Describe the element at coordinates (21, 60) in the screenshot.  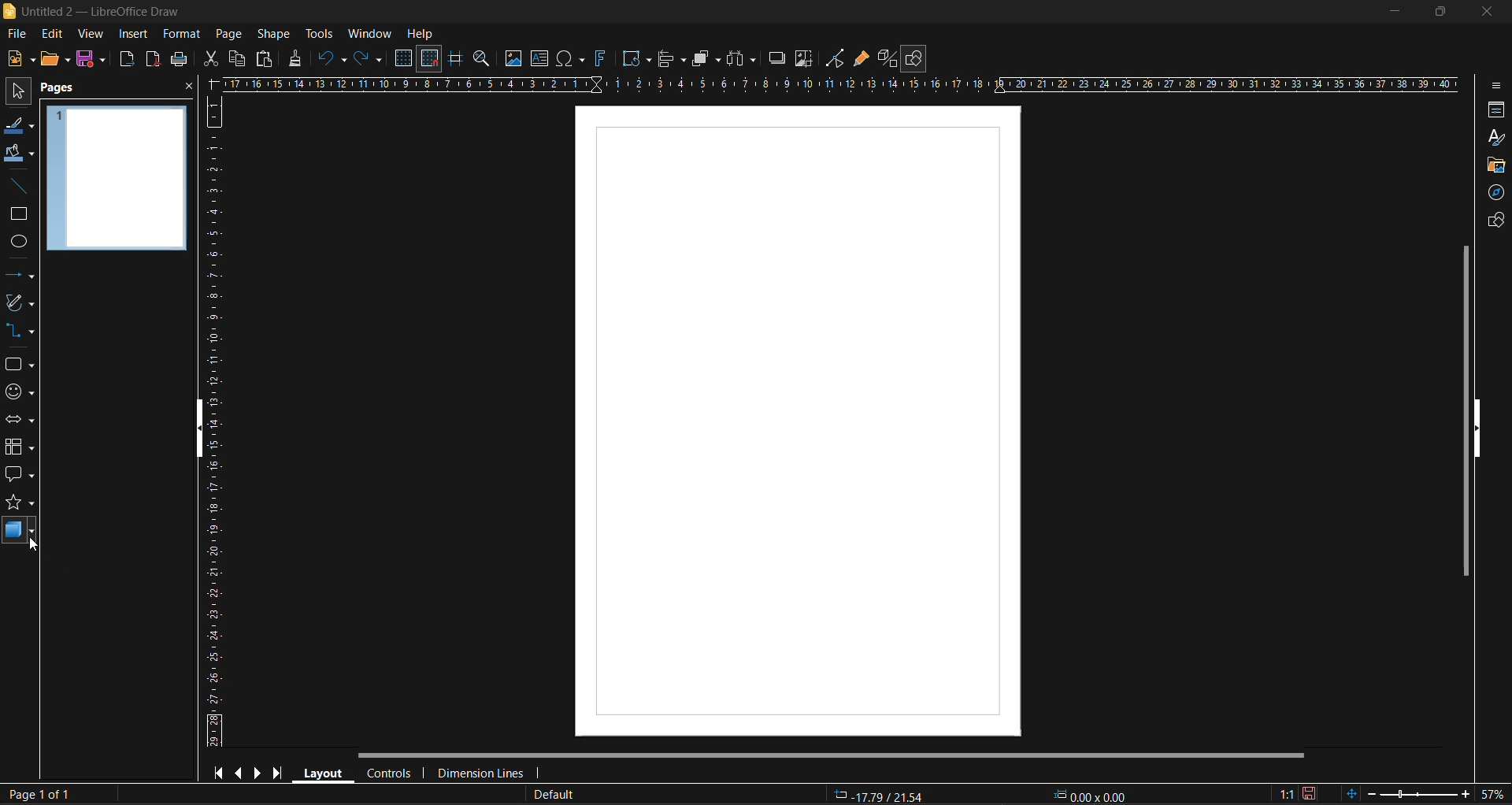
I see `new` at that location.